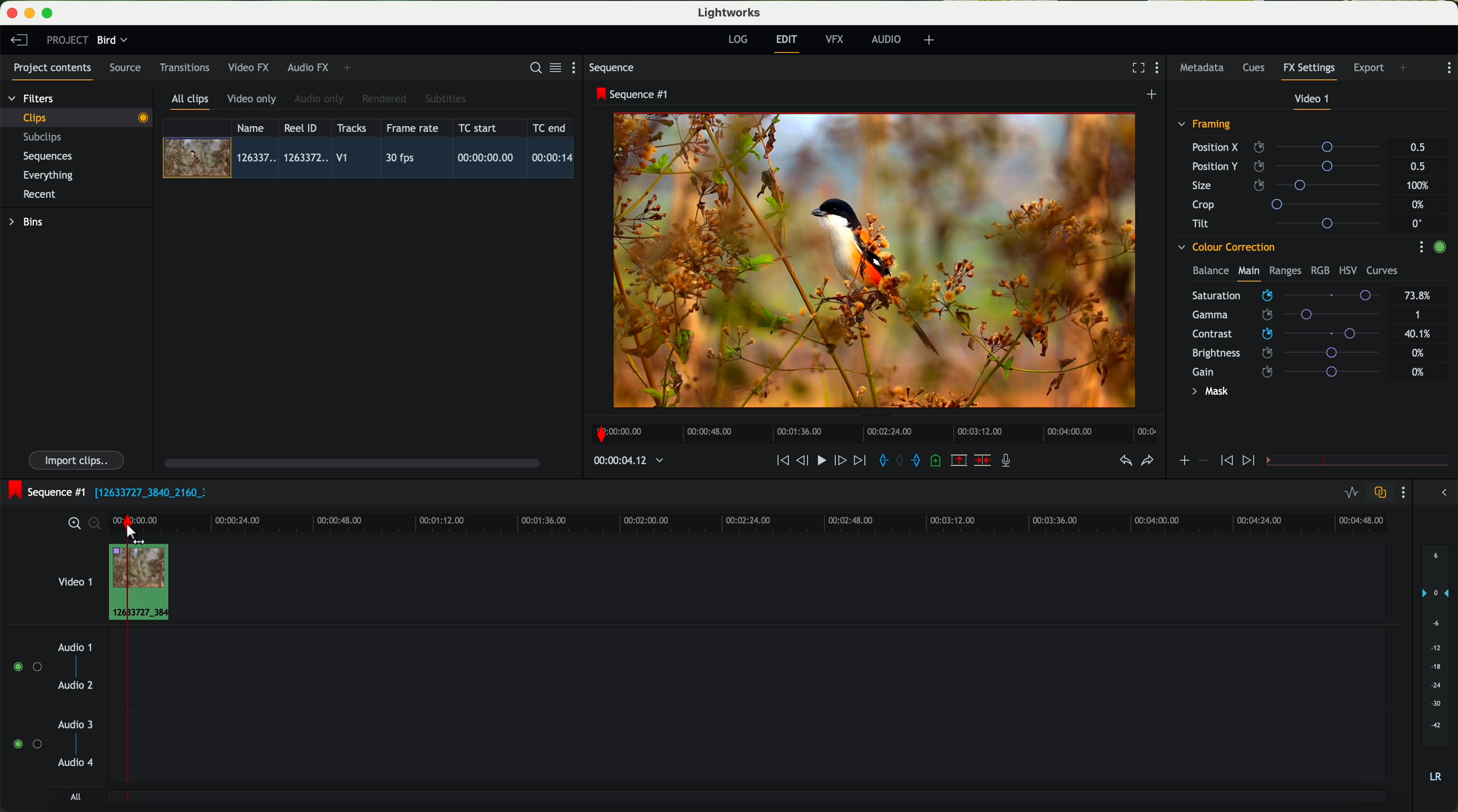  I want to click on play, so click(821, 459).